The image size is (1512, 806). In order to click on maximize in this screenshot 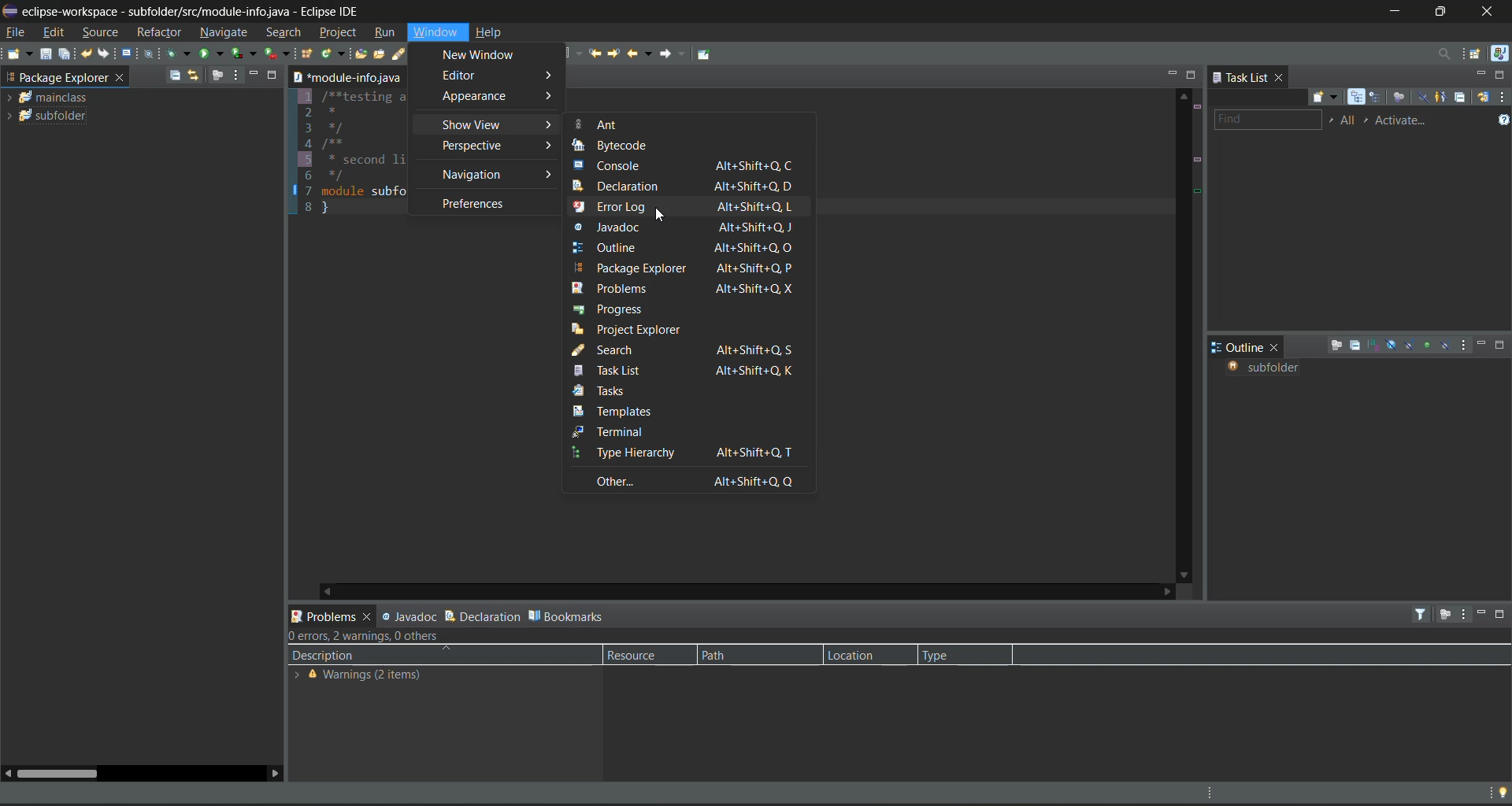, I will do `click(1499, 75)`.